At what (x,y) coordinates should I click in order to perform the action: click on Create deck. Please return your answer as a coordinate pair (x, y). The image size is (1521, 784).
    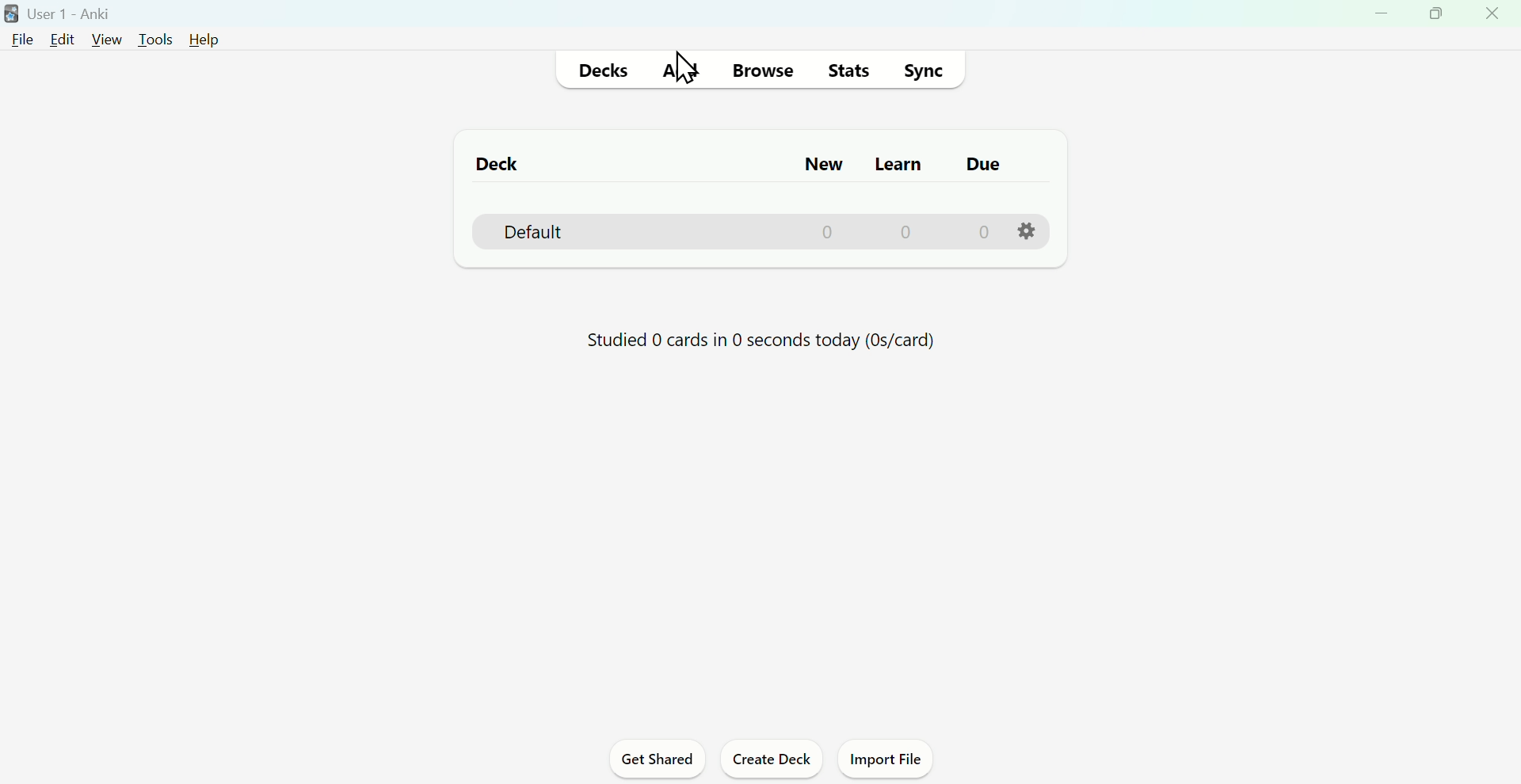
    Looking at the image, I should click on (771, 758).